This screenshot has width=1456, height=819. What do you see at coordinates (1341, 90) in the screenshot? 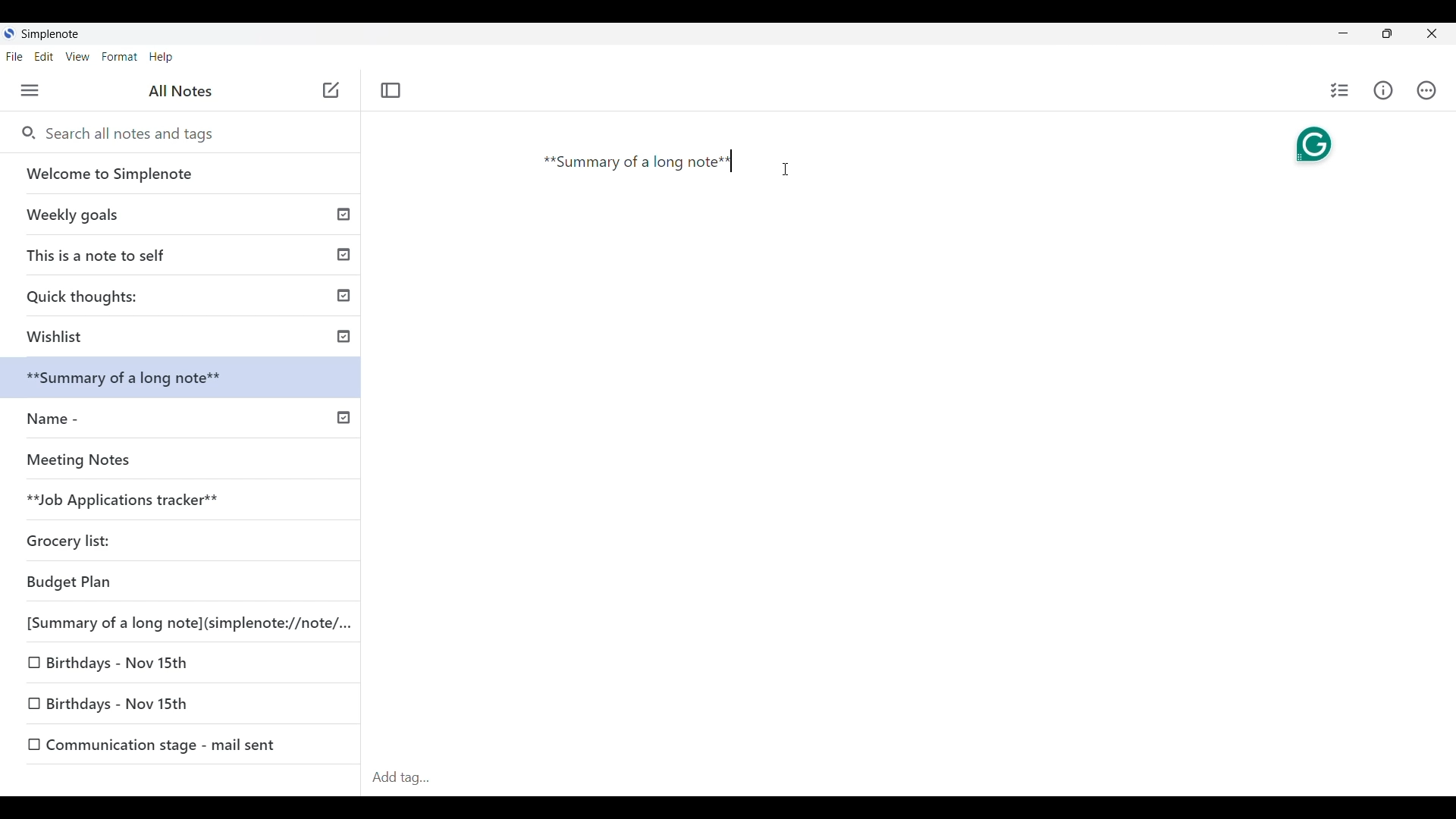
I see `Insert checklist` at bounding box center [1341, 90].